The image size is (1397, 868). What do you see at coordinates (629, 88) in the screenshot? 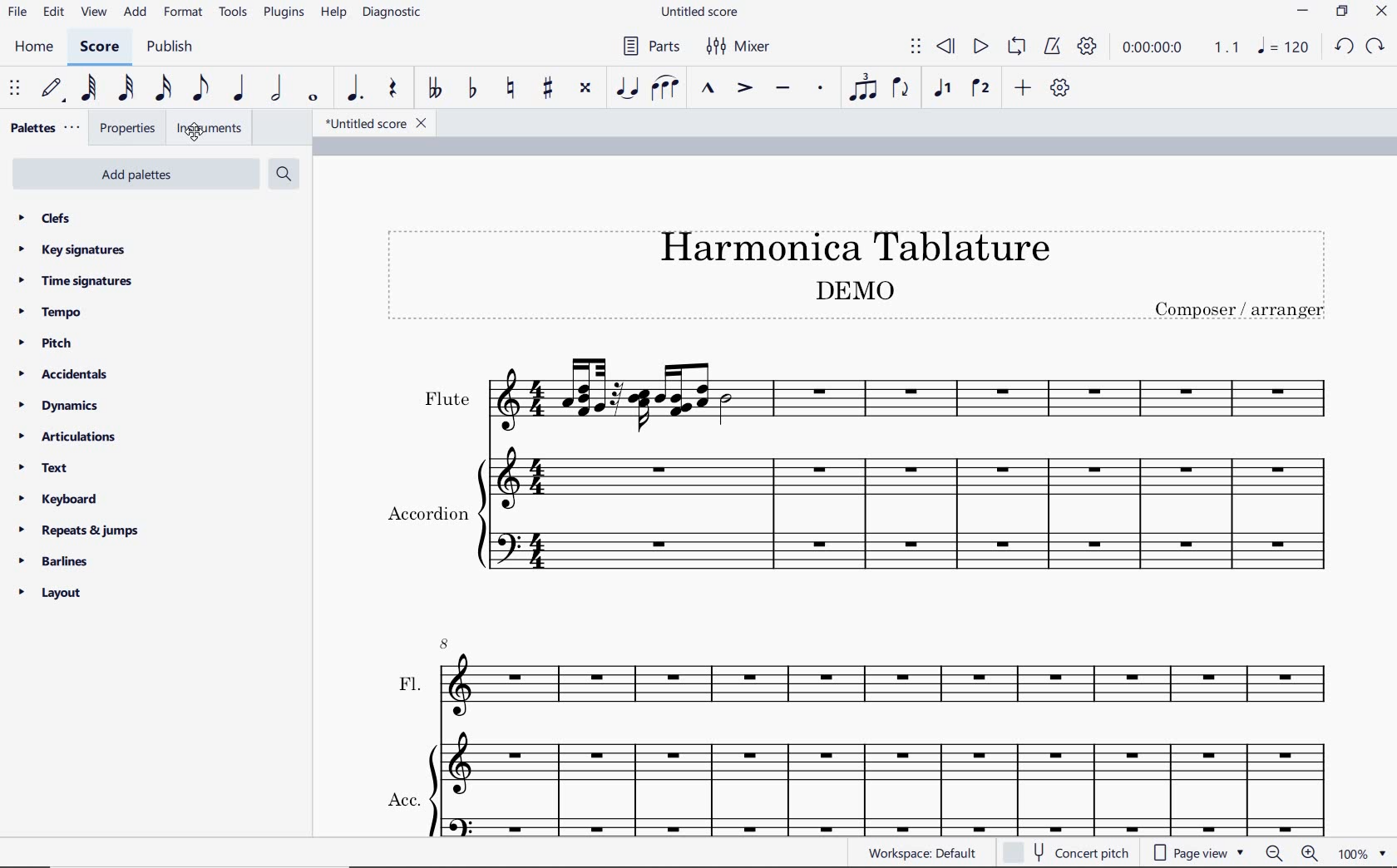
I see `tie` at bounding box center [629, 88].